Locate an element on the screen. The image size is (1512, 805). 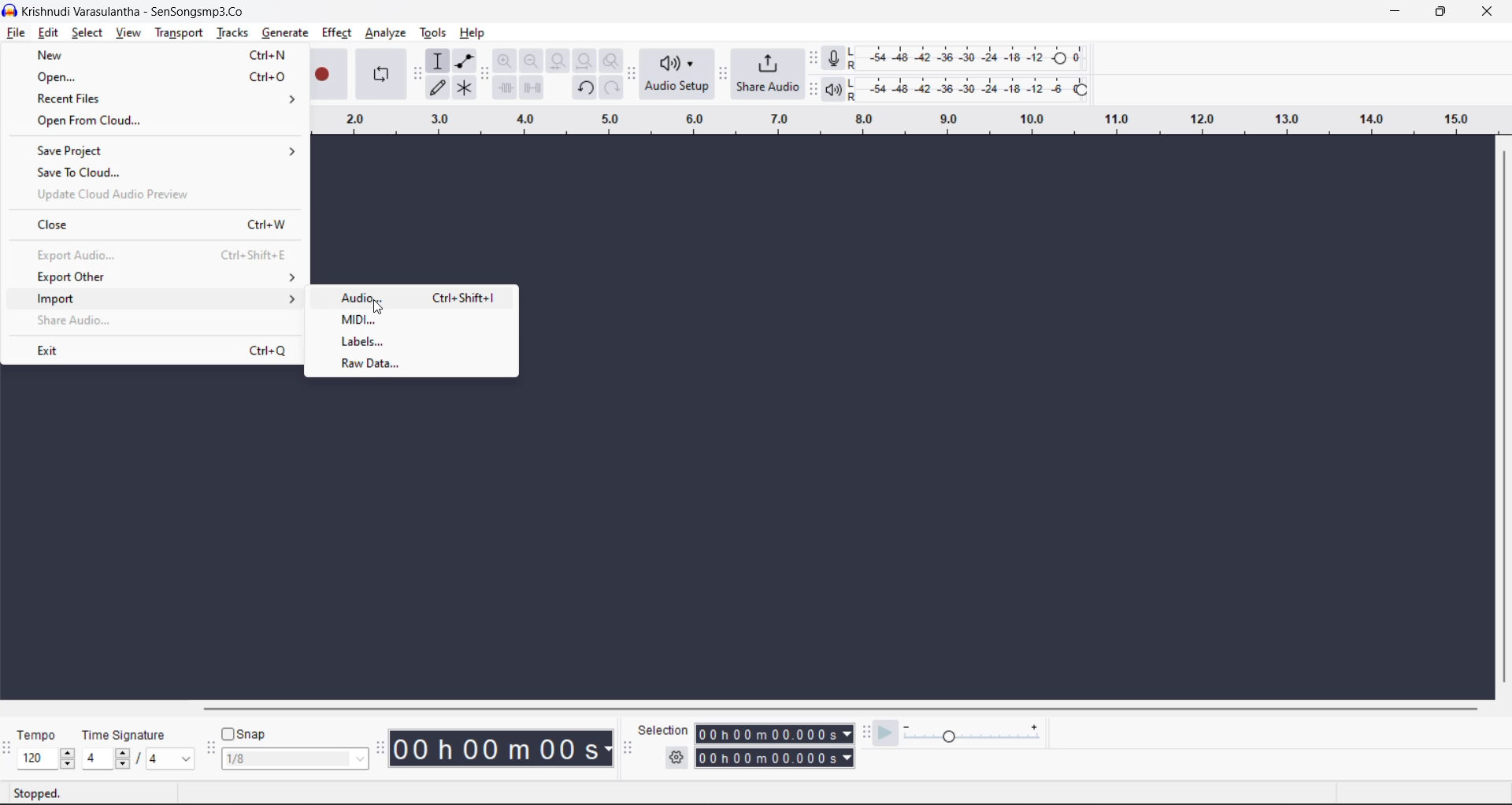
share audio is located at coordinates (165, 323).